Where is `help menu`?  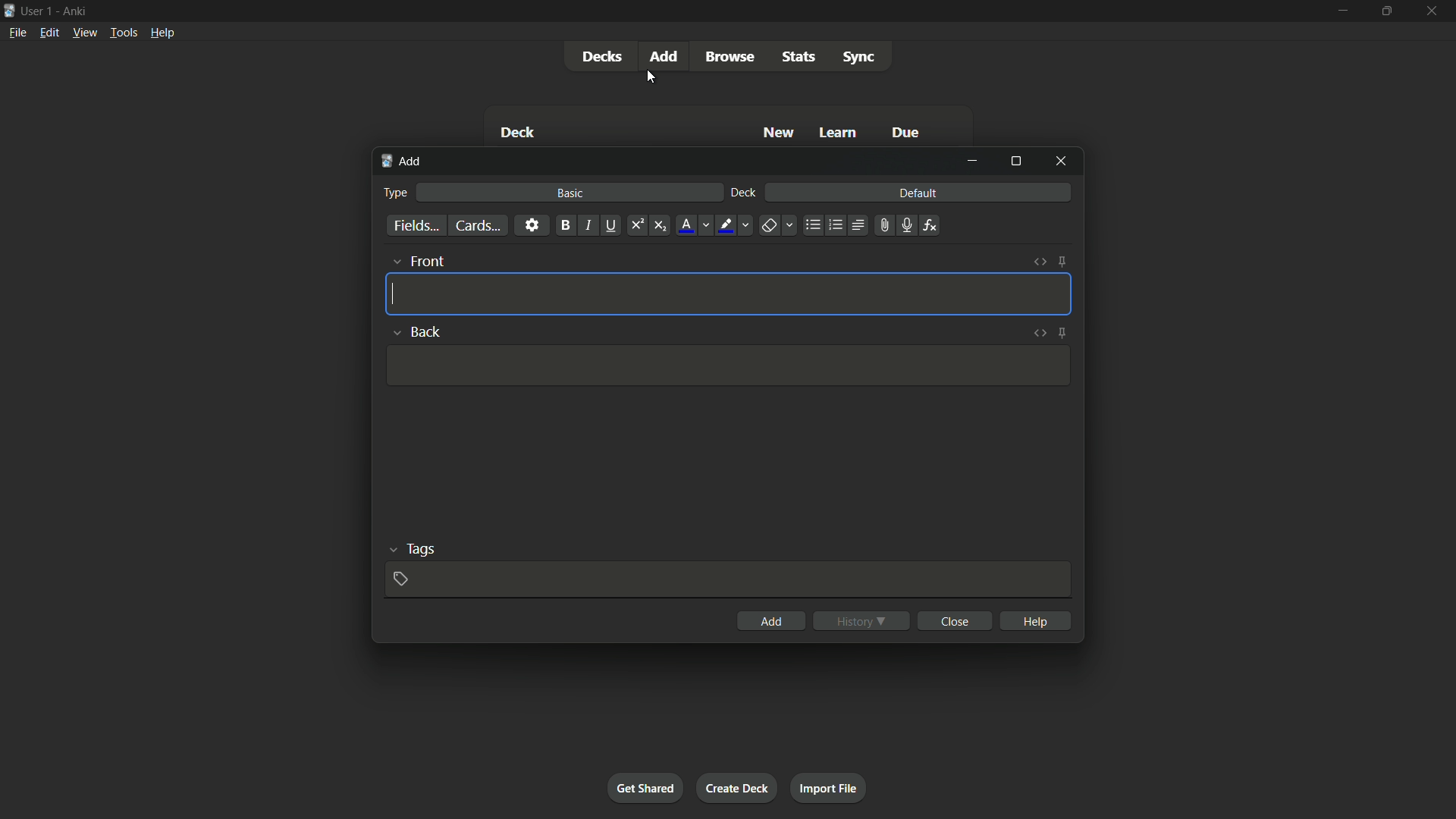
help menu is located at coordinates (162, 33).